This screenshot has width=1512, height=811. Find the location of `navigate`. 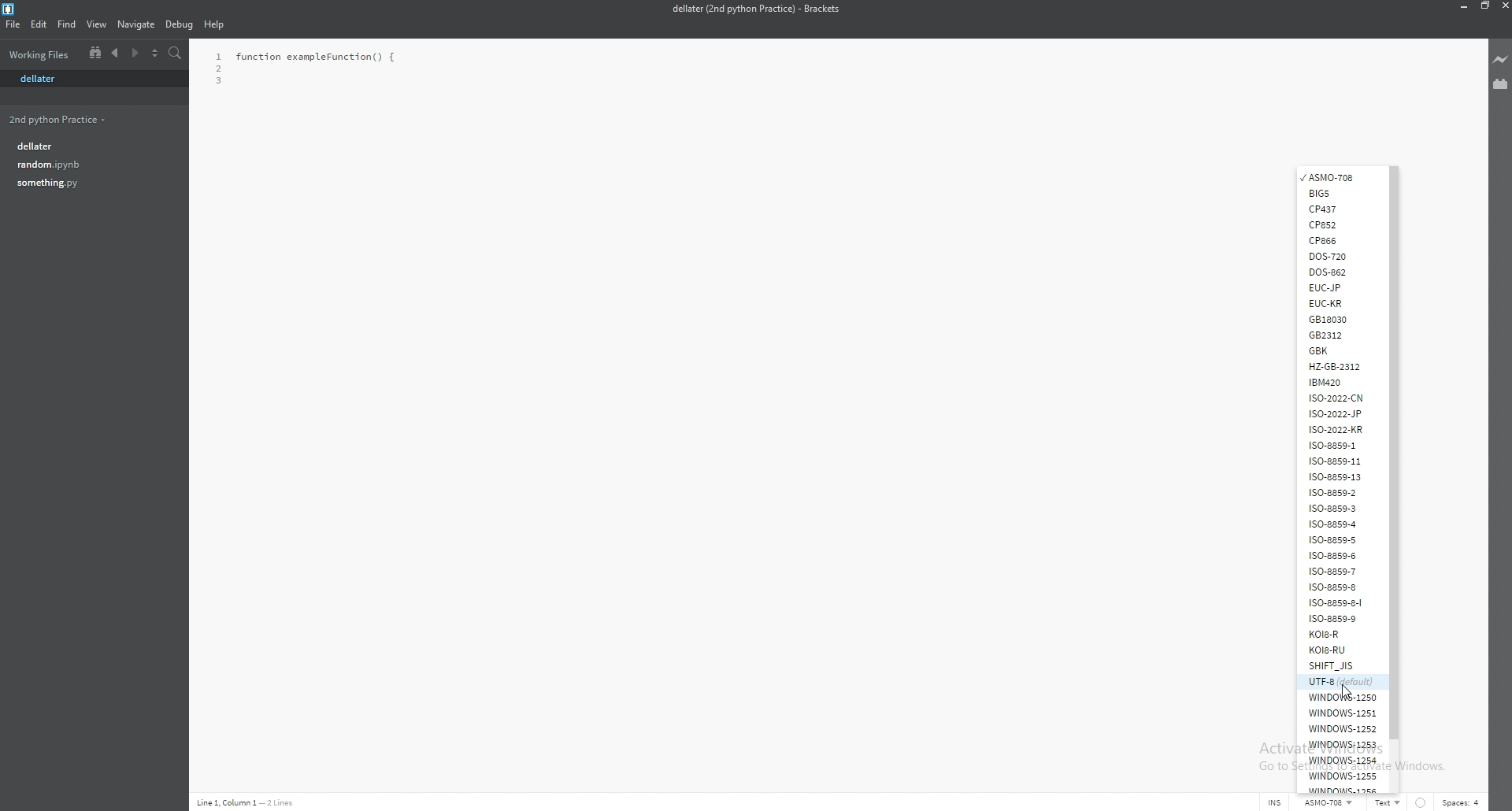

navigate is located at coordinates (137, 24).